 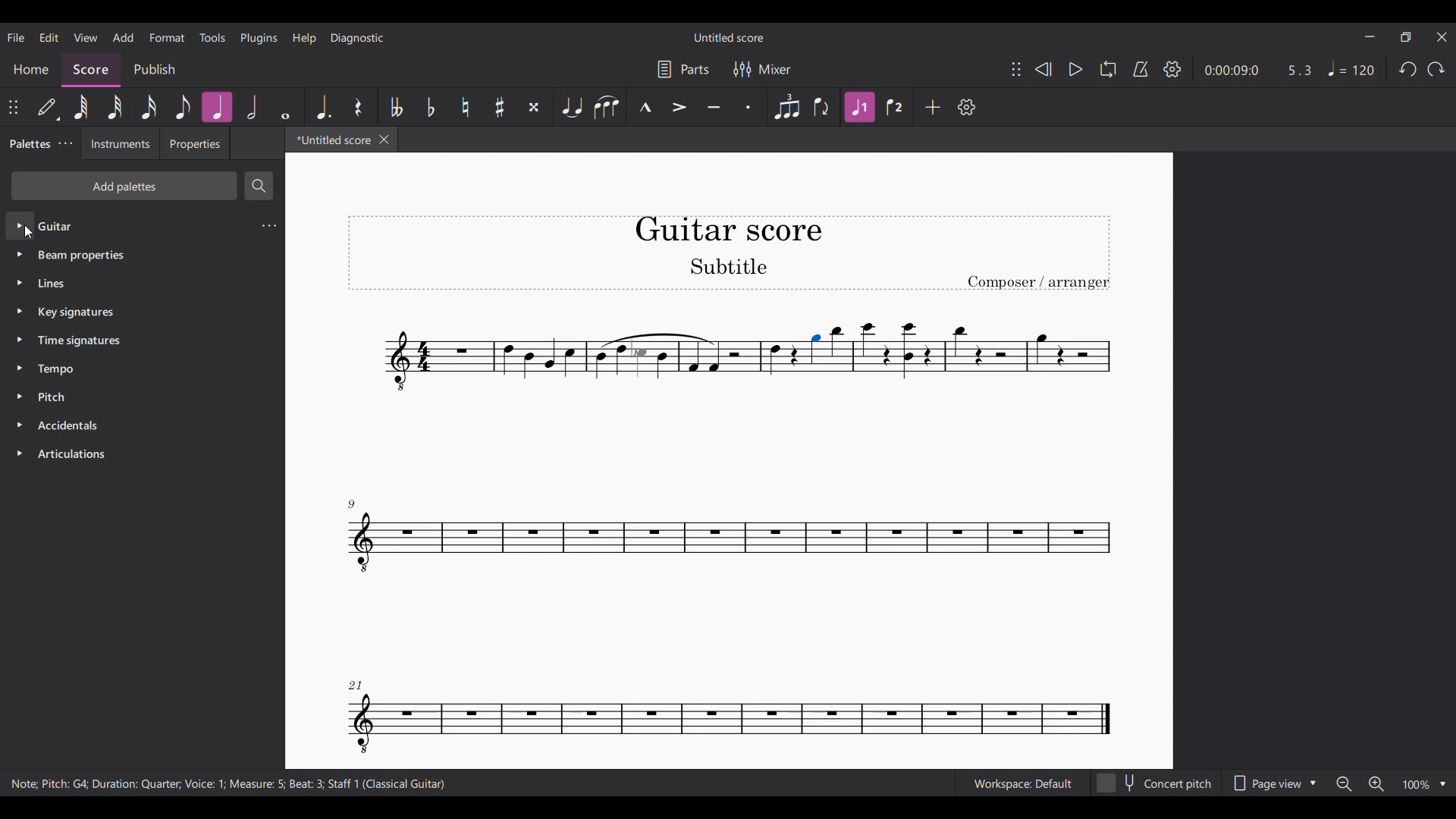 I want to click on Zoom out, so click(x=1345, y=784).